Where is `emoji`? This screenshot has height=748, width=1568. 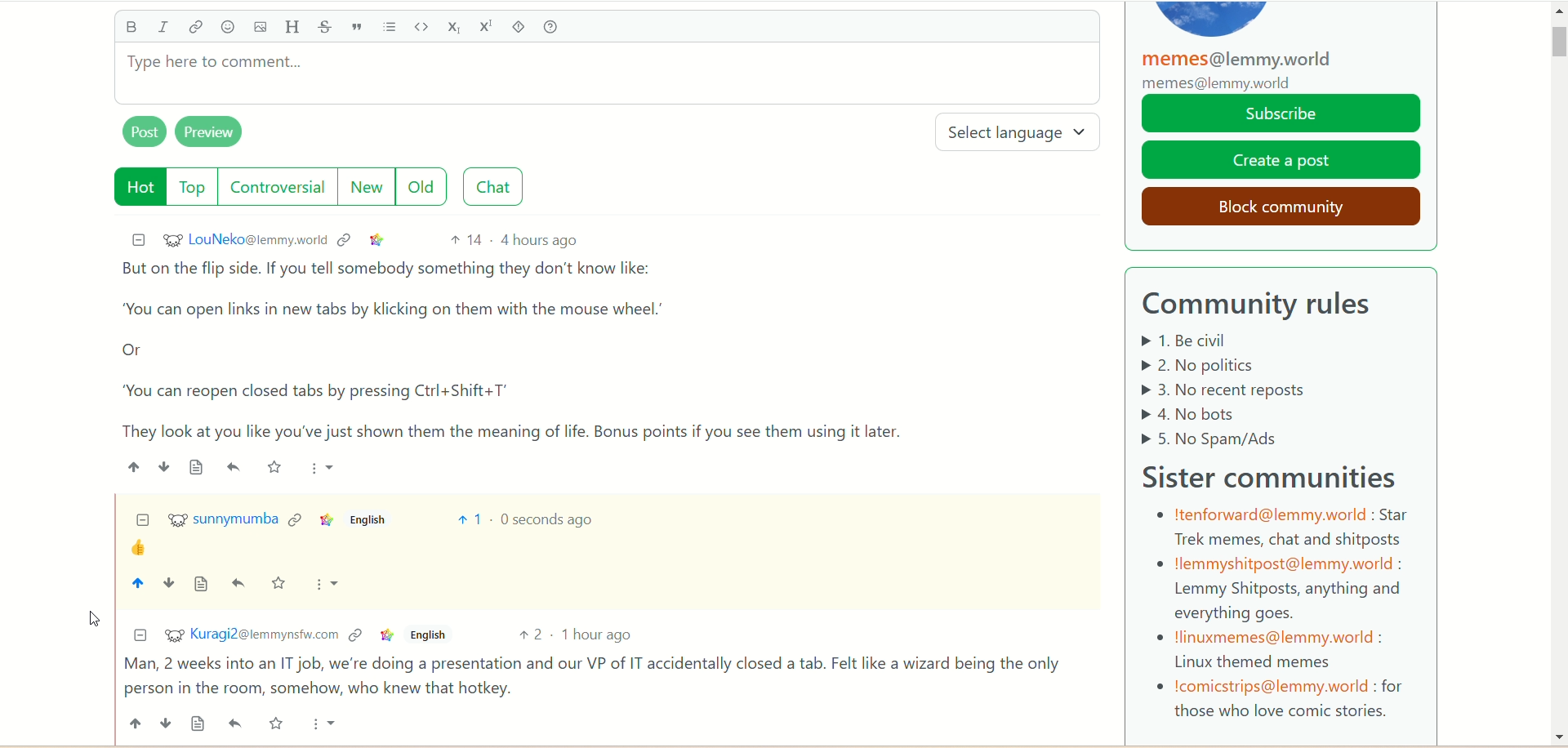
emoji is located at coordinates (232, 470).